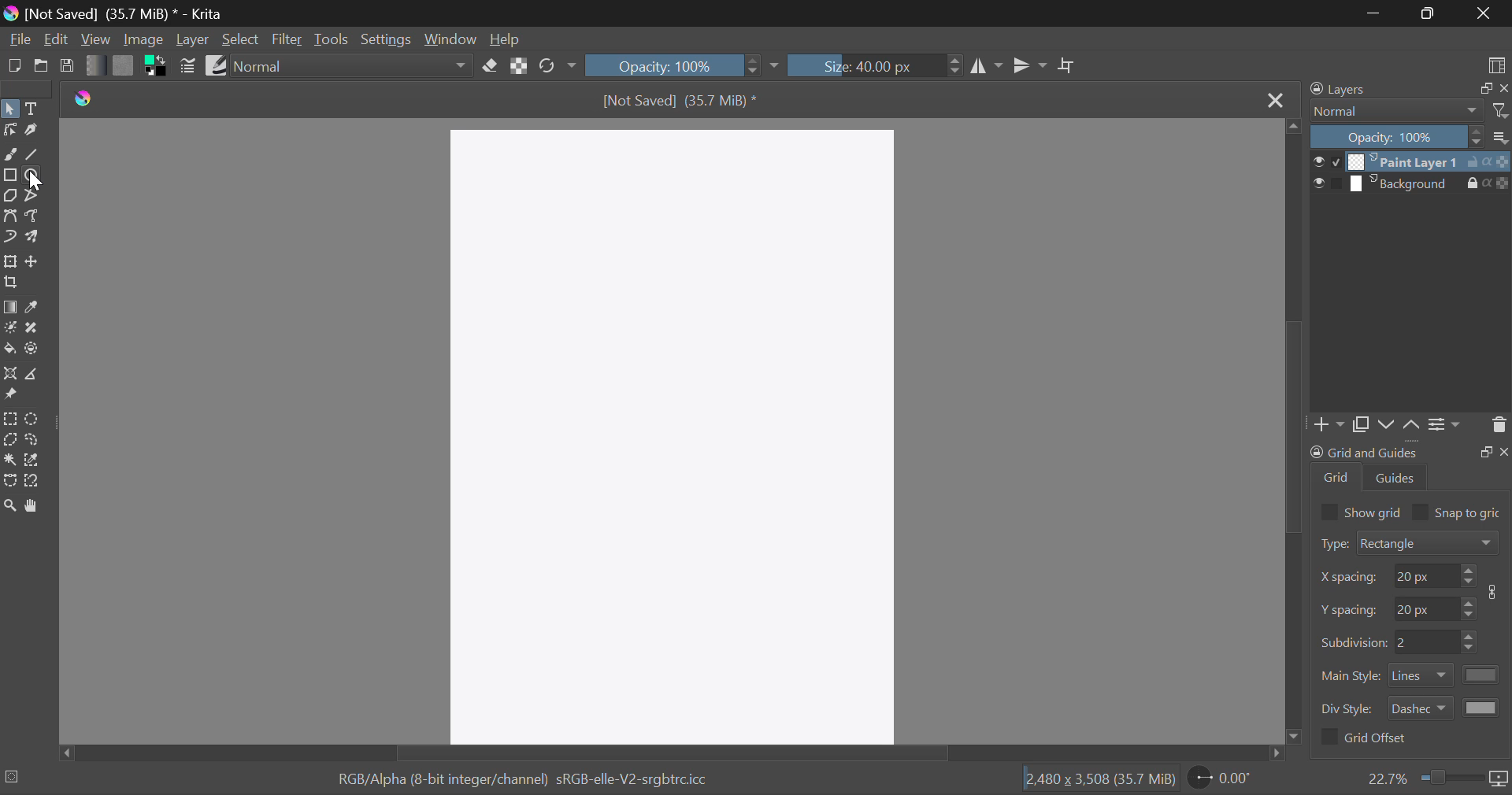 Image resolution: width=1512 pixels, height=795 pixels. What do you see at coordinates (1266, 752) in the screenshot?
I see `move right` at bounding box center [1266, 752].